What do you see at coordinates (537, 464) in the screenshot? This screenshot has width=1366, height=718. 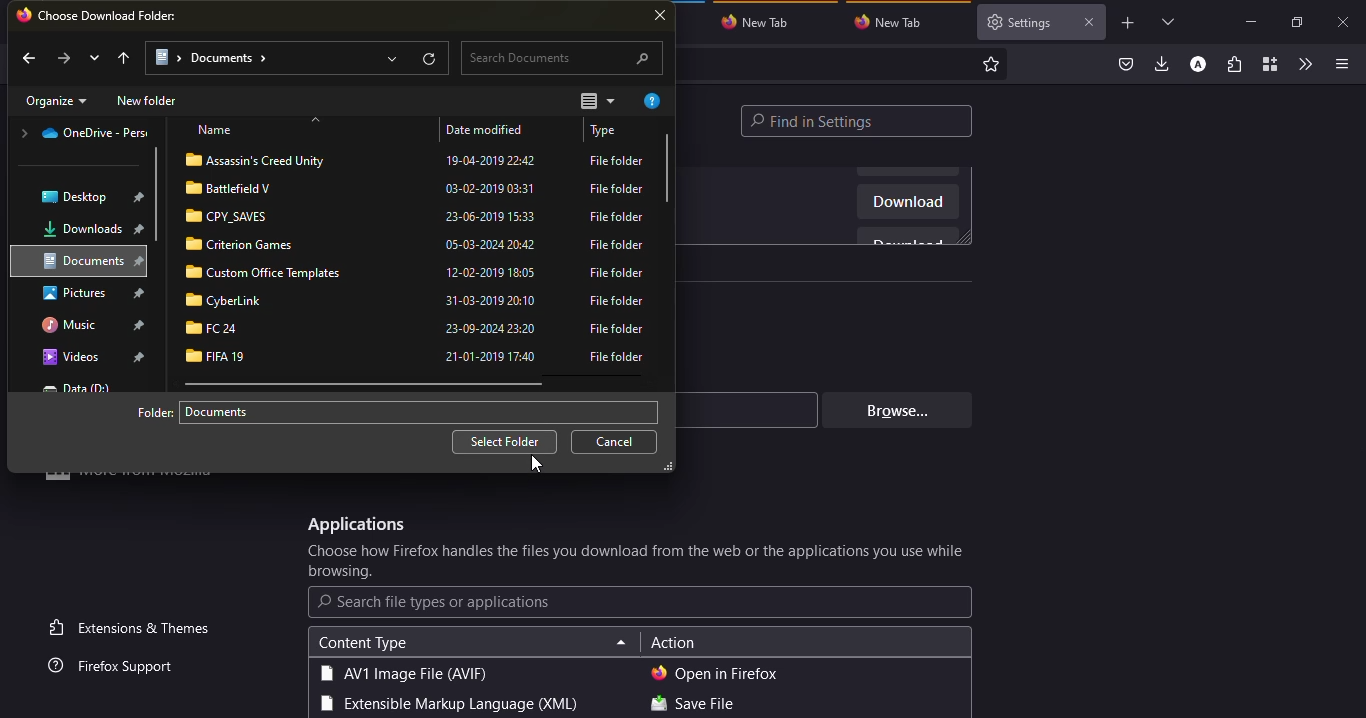 I see `cursor` at bounding box center [537, 464].